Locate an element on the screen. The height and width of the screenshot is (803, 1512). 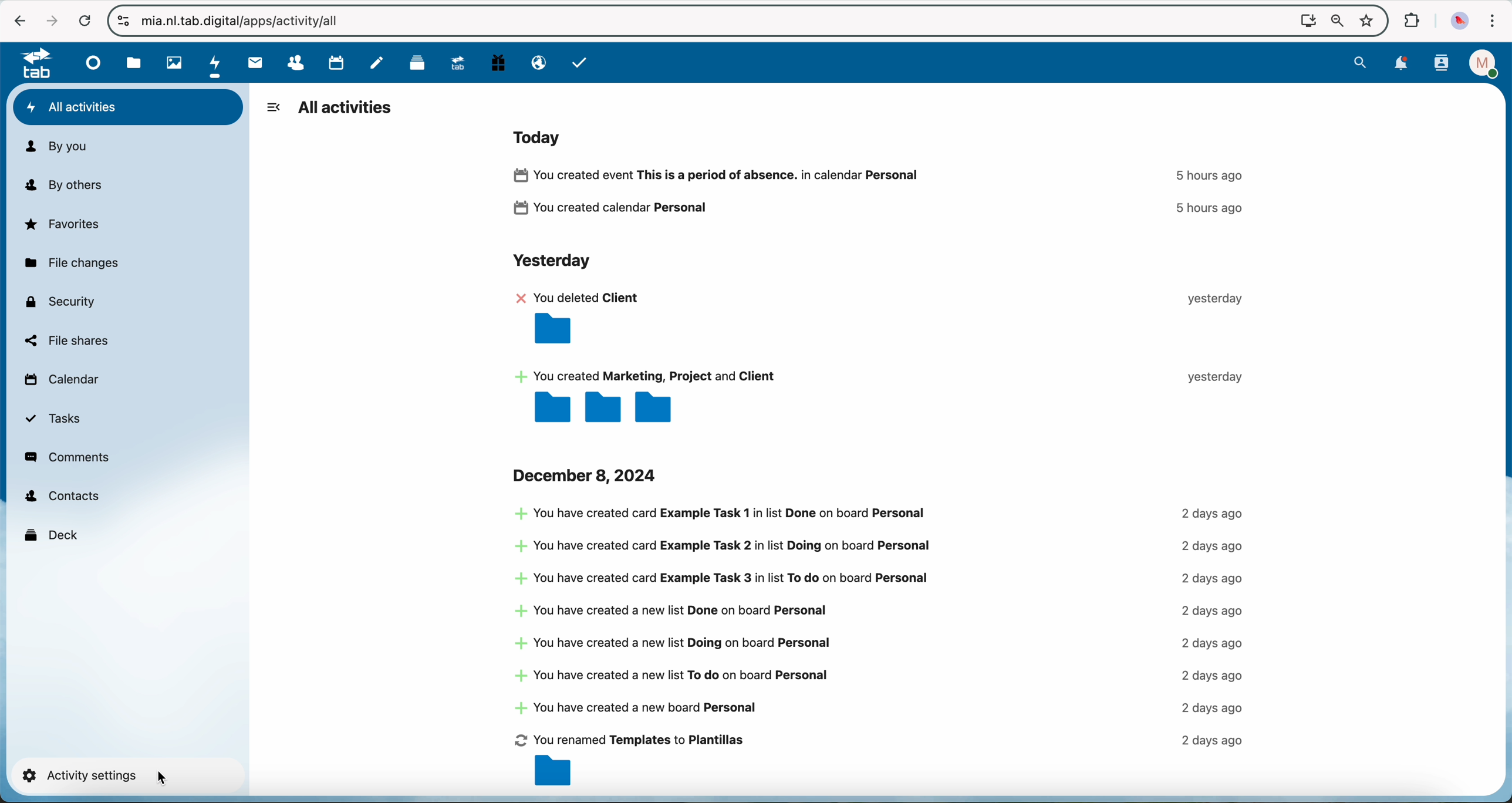
favorites is located at coordinates (64, 224).